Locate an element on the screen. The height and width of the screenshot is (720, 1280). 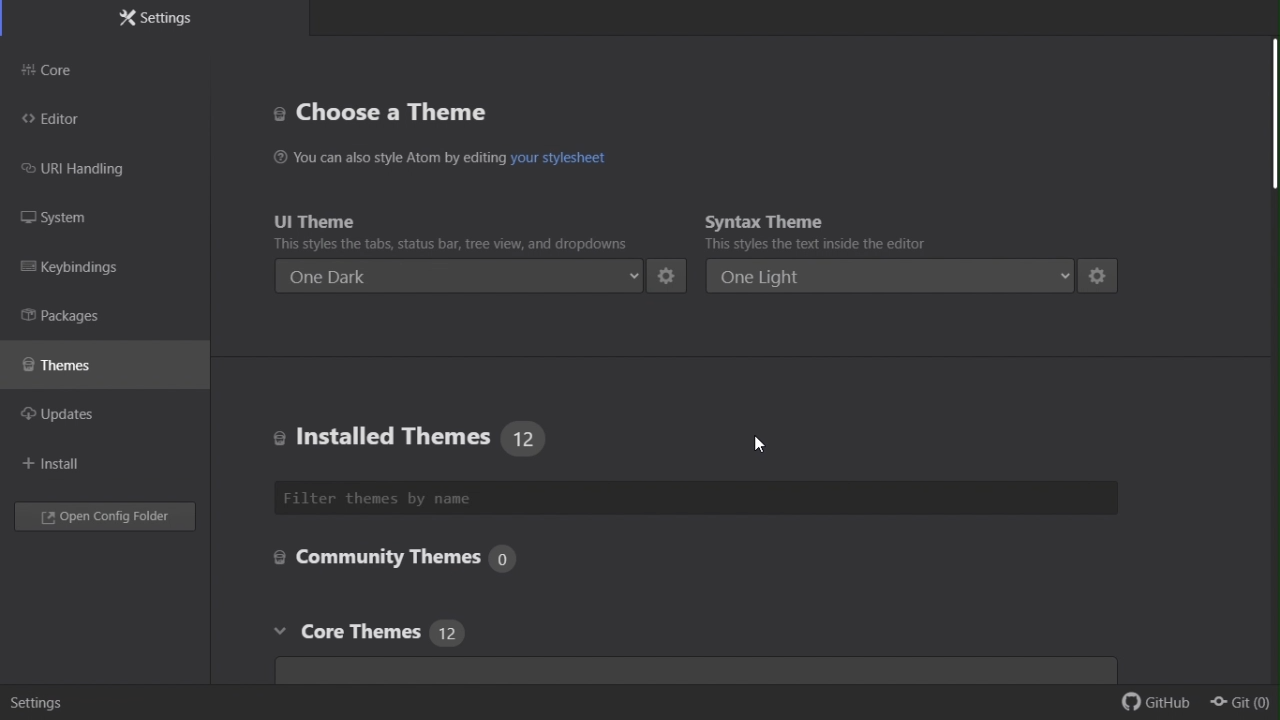
FREE TRIAL EXPIREDsystem is located at coordinates (60, 214).